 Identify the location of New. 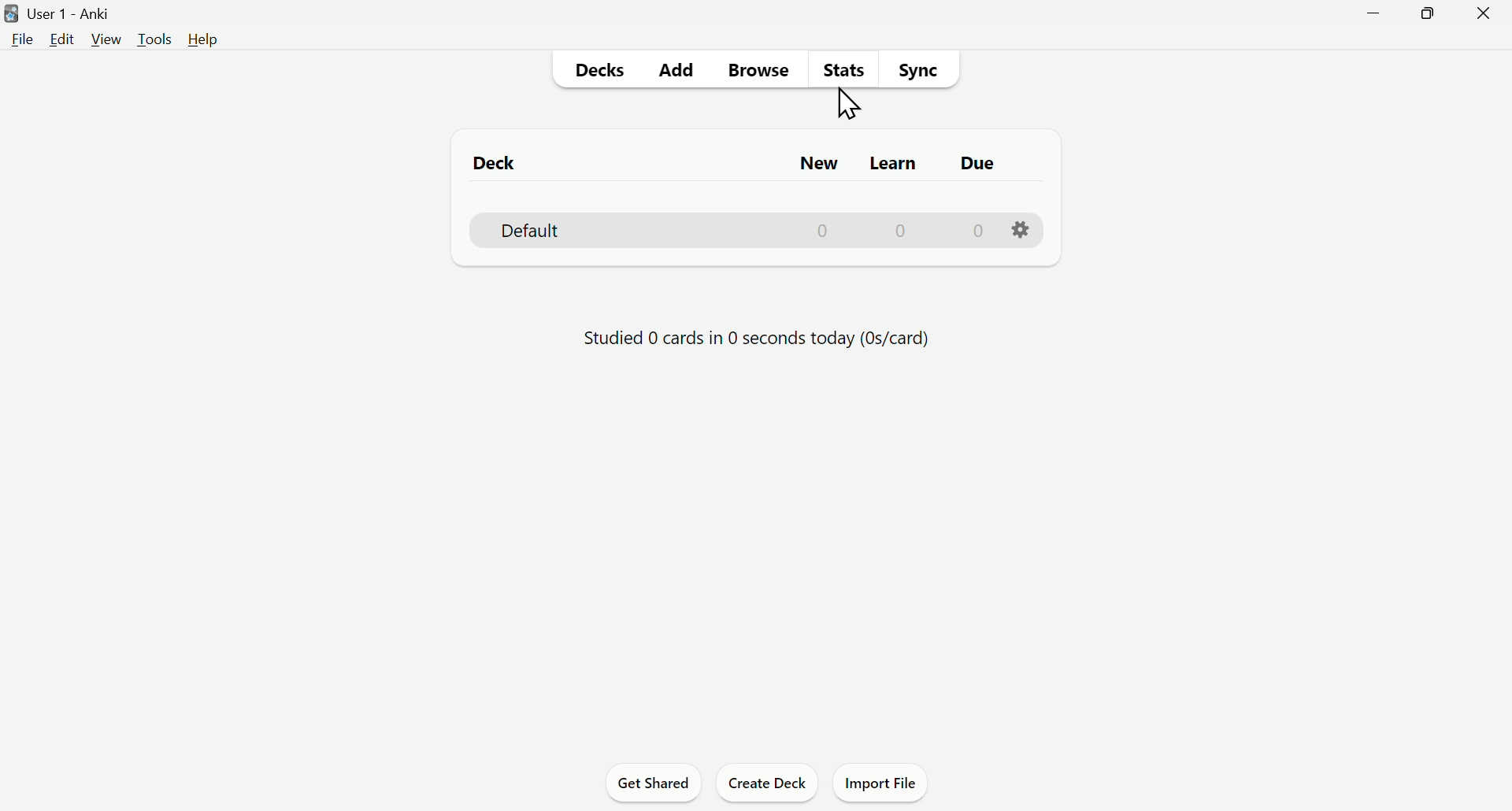
(820, 165).